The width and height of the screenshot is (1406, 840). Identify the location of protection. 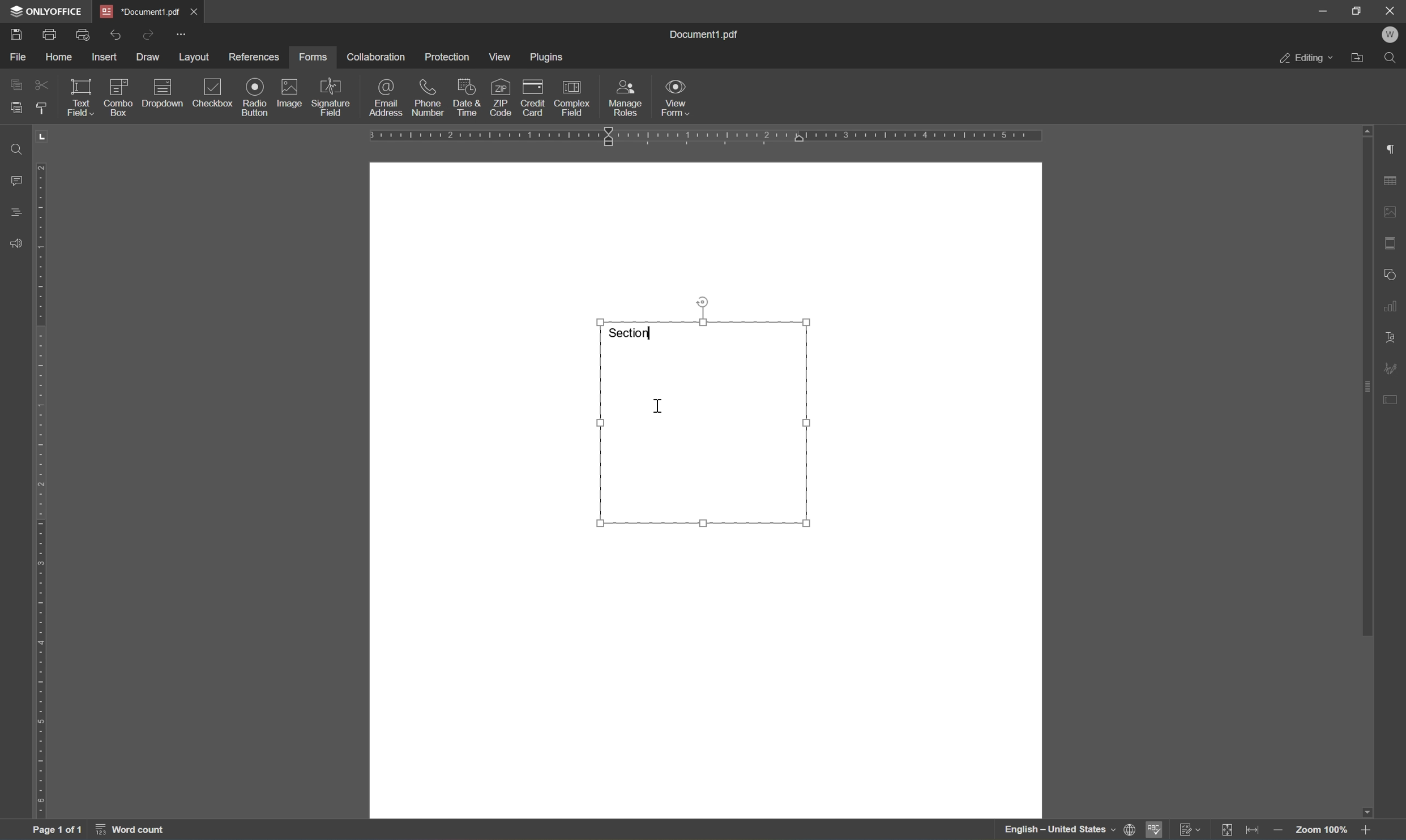
(448, 57).